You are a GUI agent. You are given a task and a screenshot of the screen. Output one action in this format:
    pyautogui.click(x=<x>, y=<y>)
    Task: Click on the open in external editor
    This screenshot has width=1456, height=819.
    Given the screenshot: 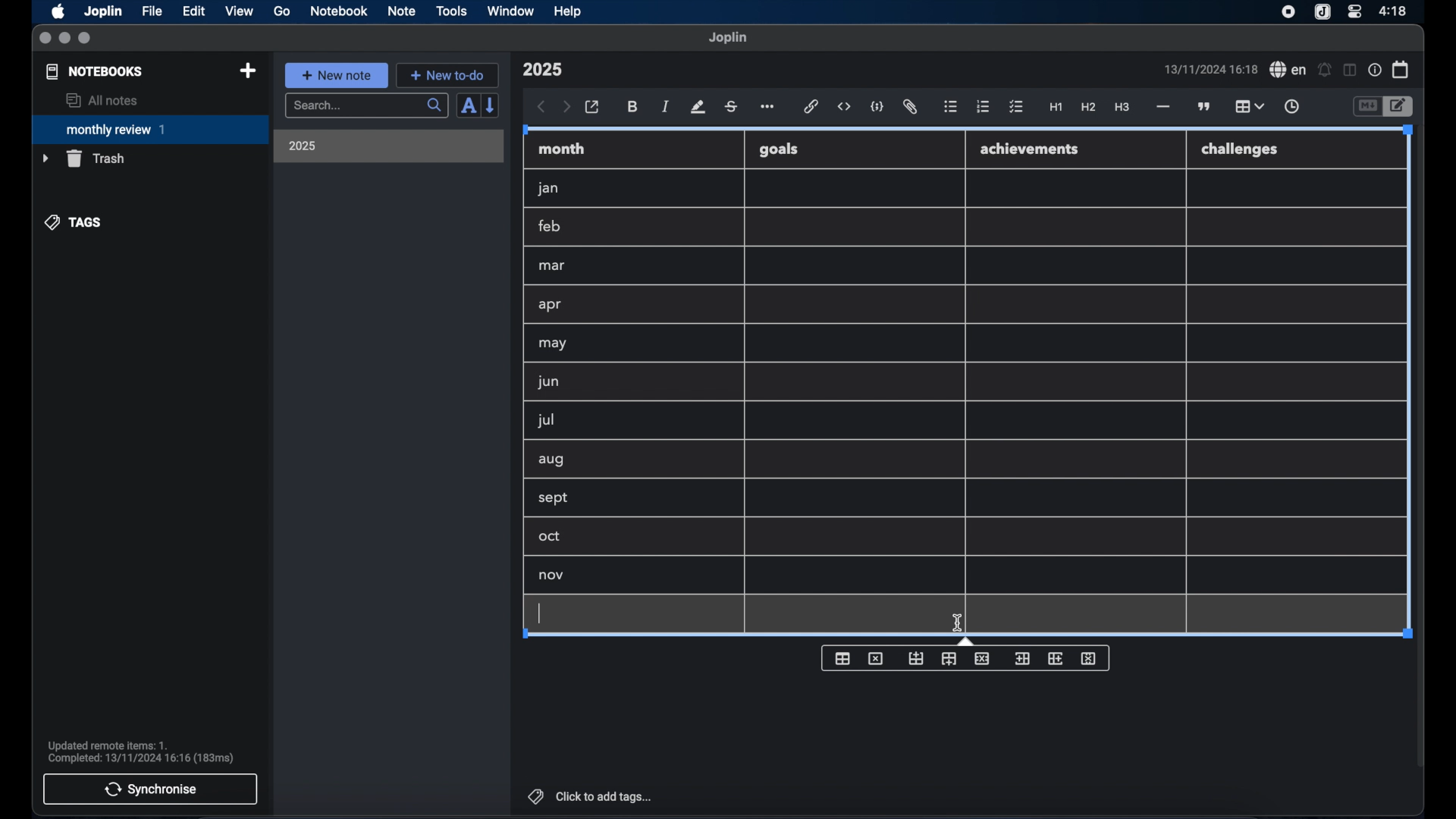 What is the action you would take?
    pyautogui.click(x=593, y=108)
    